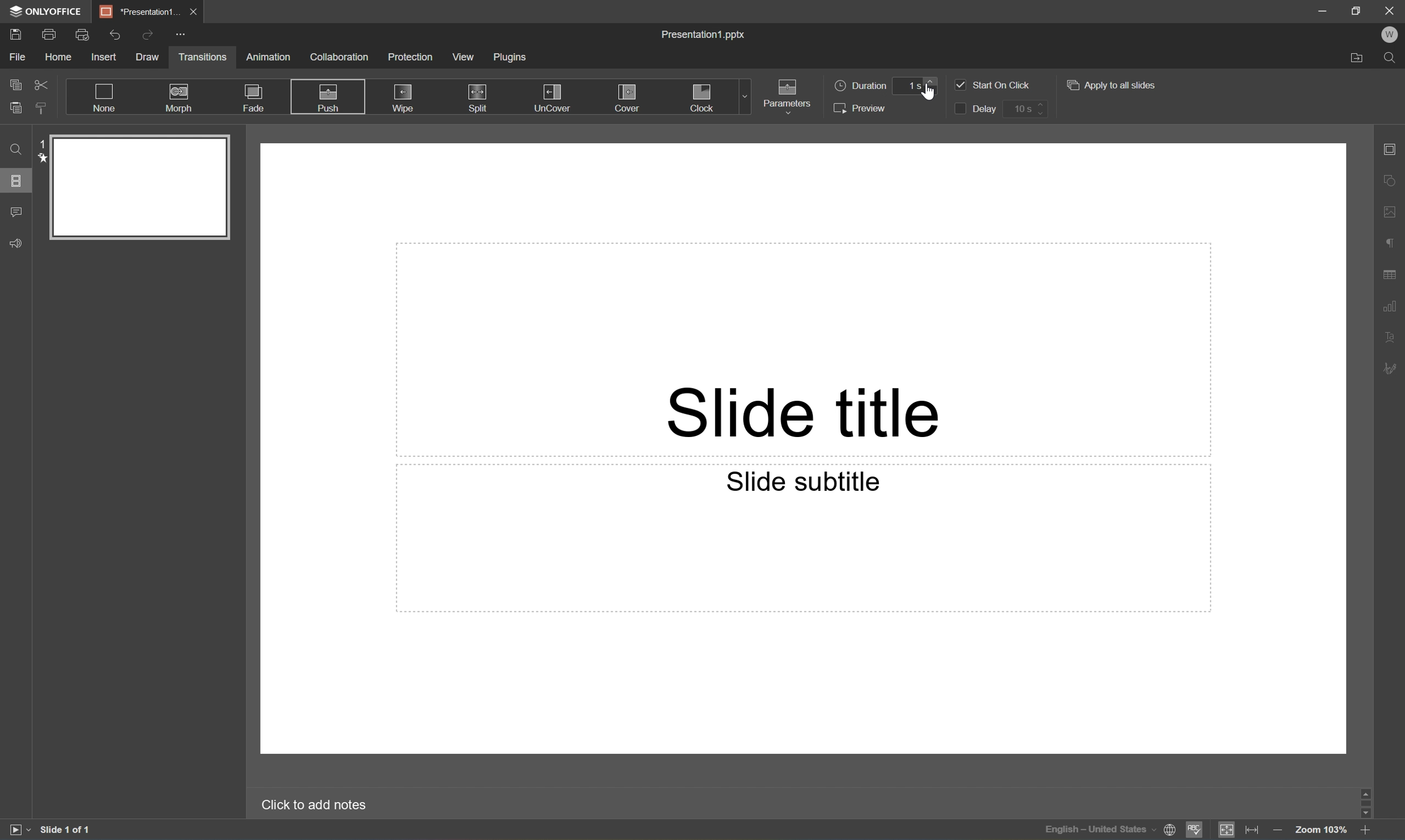  What do you see at coordinates (16, 150) in the screenshot?
I see `Find` at bounding box center [16, 150].